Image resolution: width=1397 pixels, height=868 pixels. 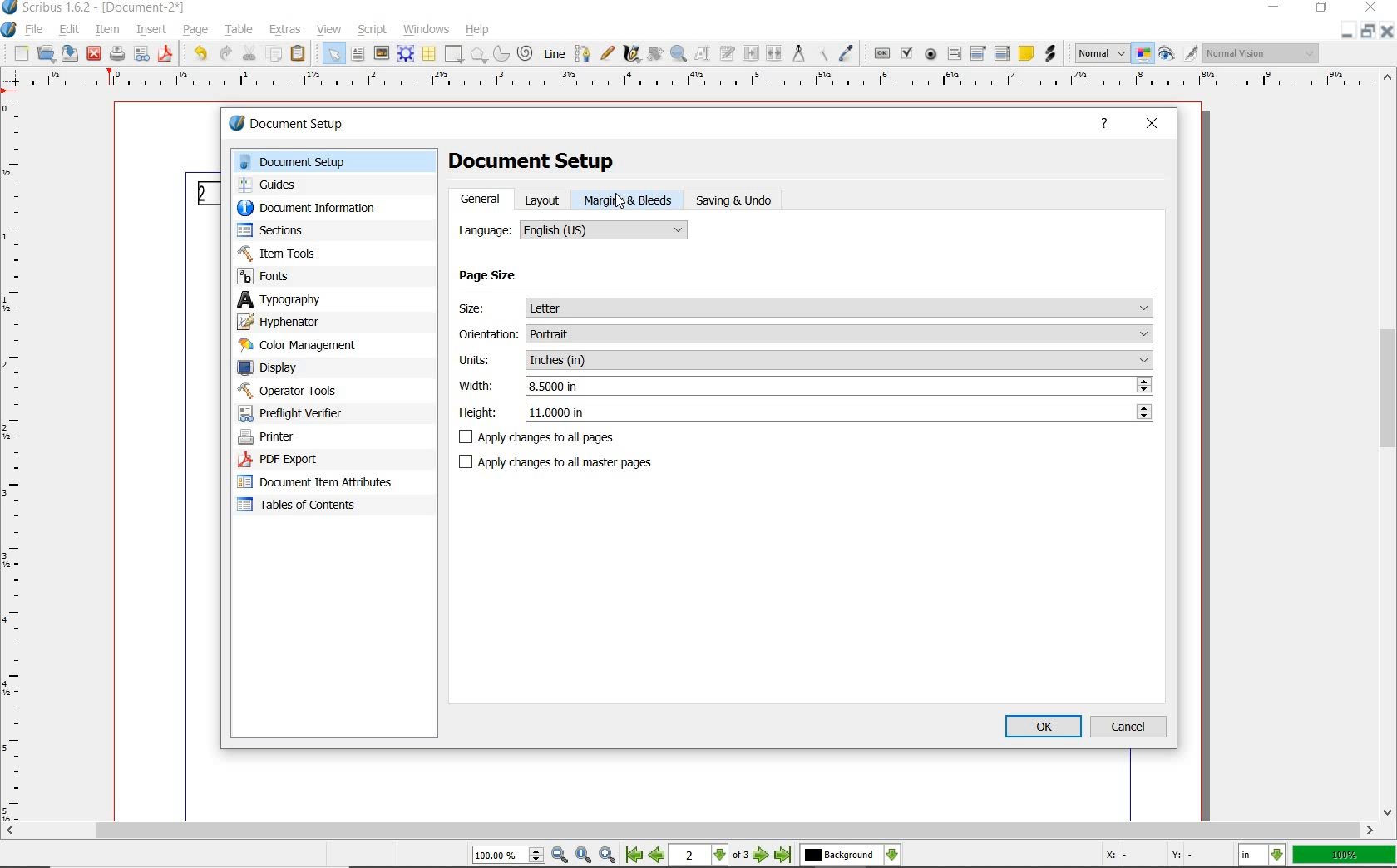 What do you see at coordinates (567, 464) in the screenshot?
I see `Apply changes to all master pages` at bounding box center [567, 464].